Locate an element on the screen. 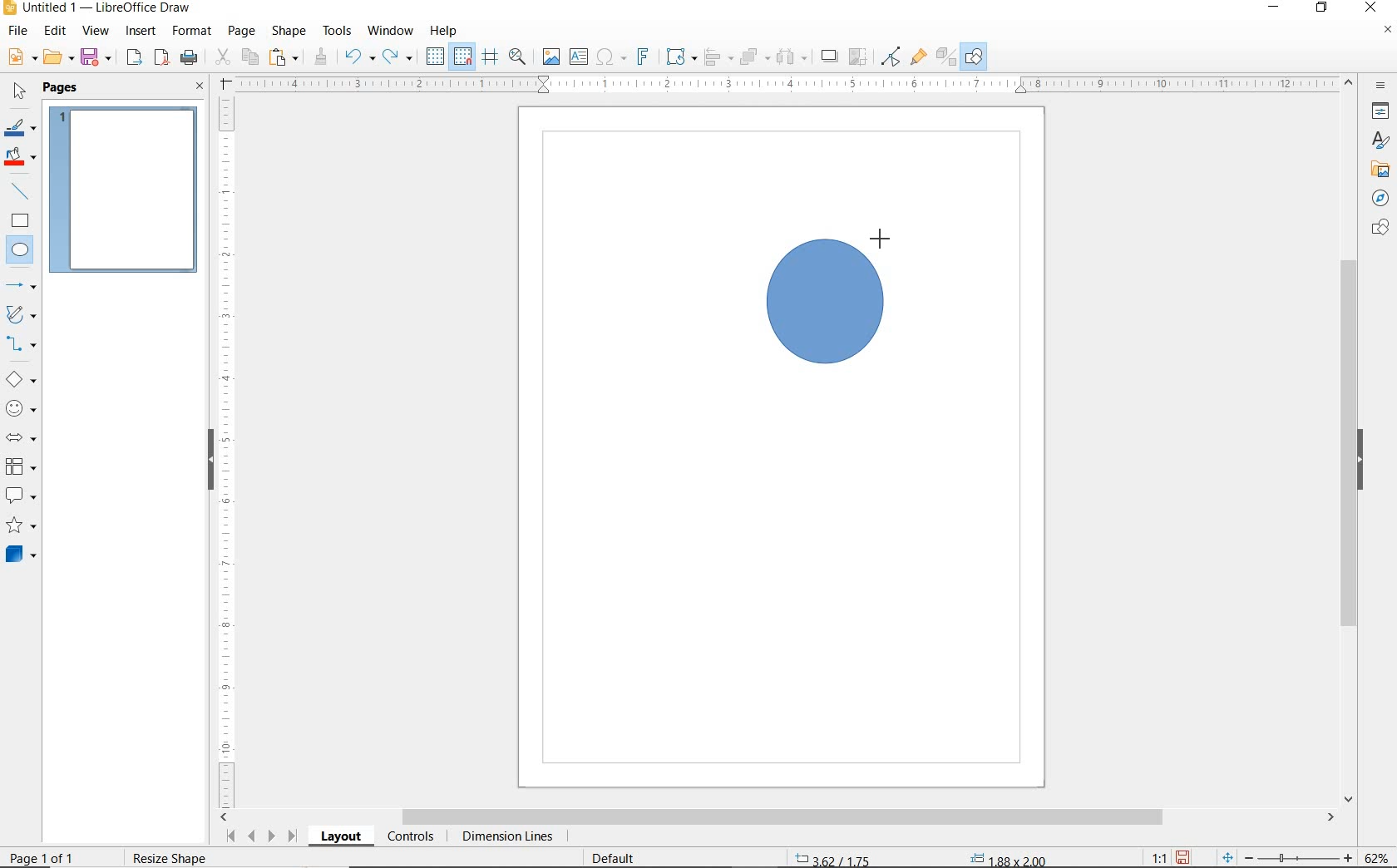 The height and width of the screenshot is (868, 1397). COPY is located at coordinates (250, 56).